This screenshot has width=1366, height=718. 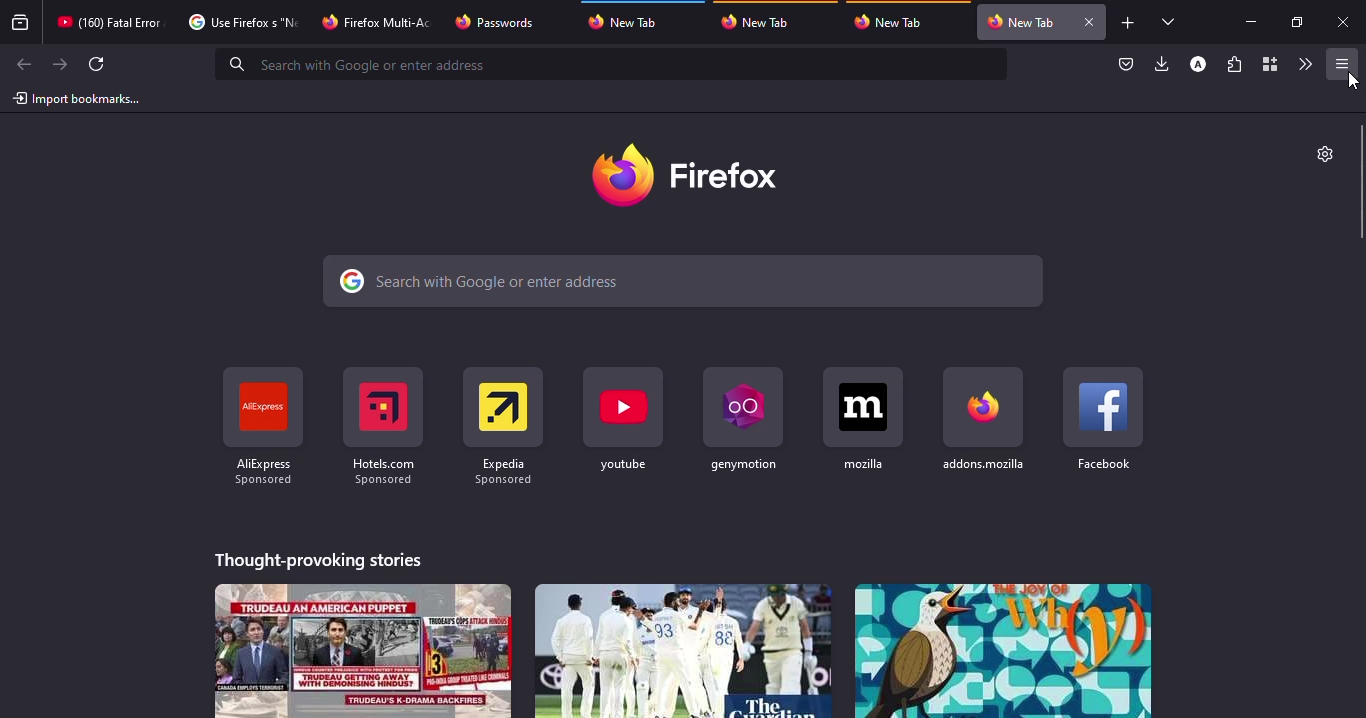 What do you see at coordinates (1268, 65) in the screenshot?
I see `container` at bounding box center [1268, 65].